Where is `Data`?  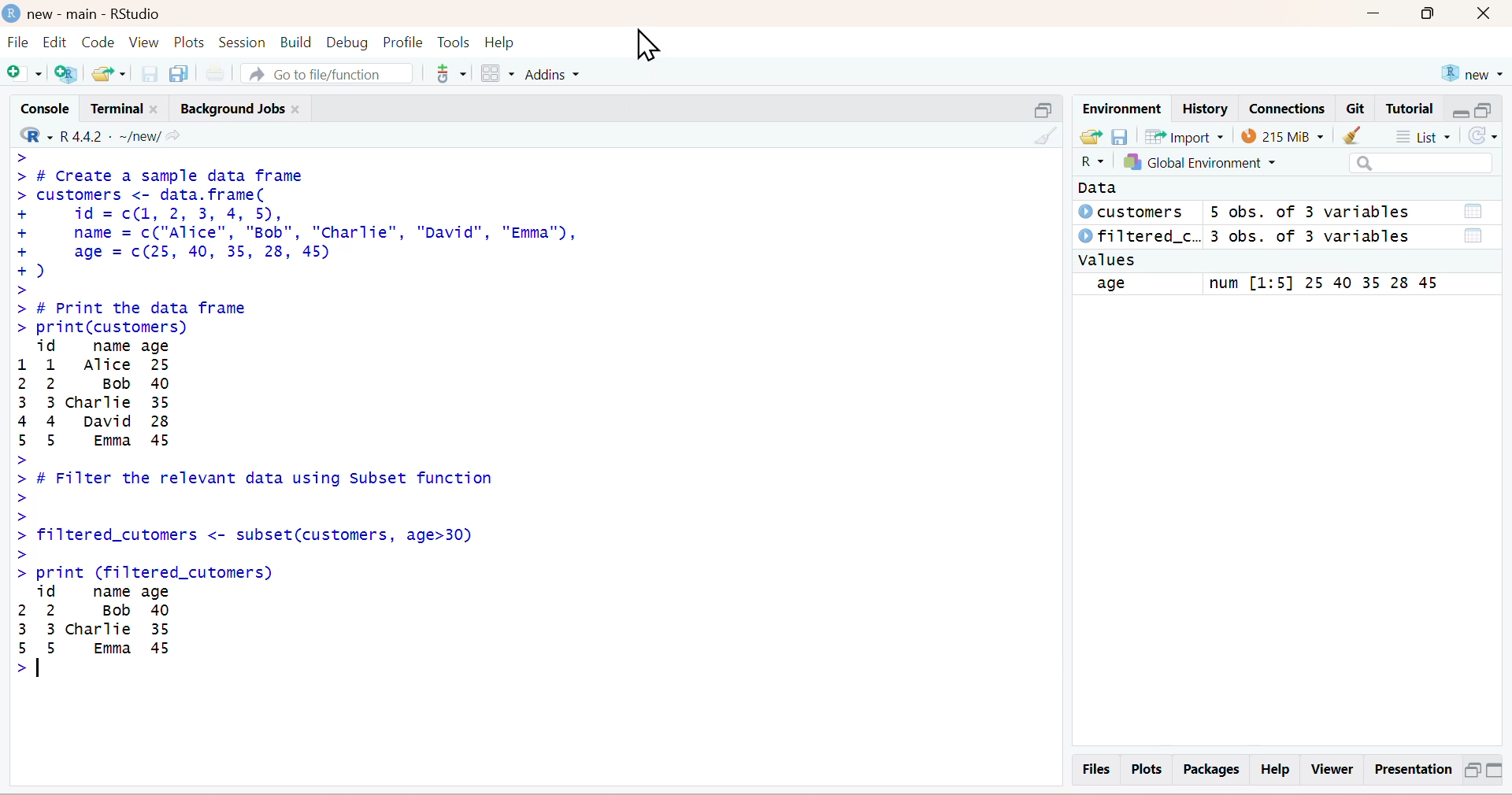 Data is located at coordinates (1099, 189).